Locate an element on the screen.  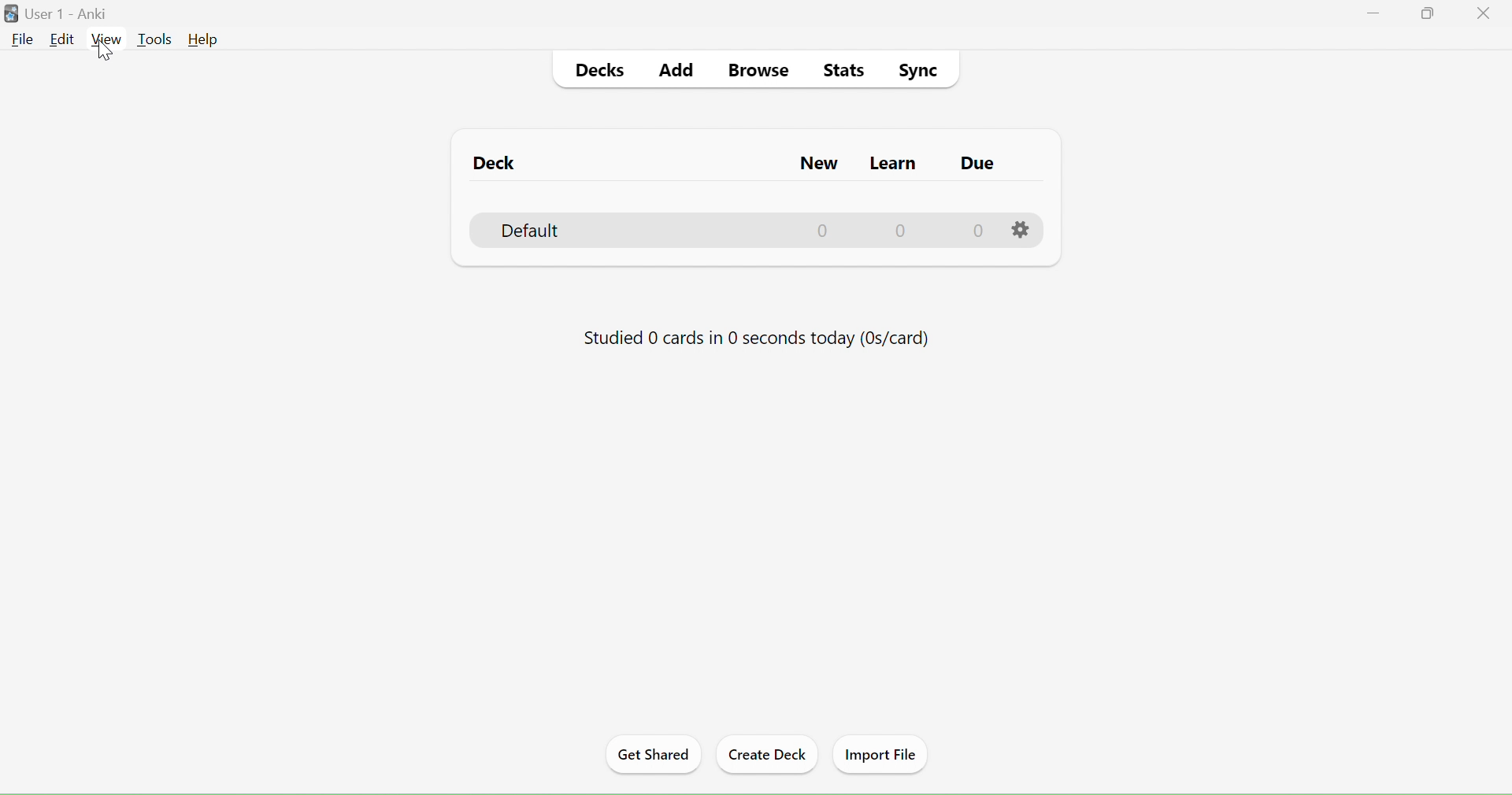
logo is located at coordinates (12, 14).